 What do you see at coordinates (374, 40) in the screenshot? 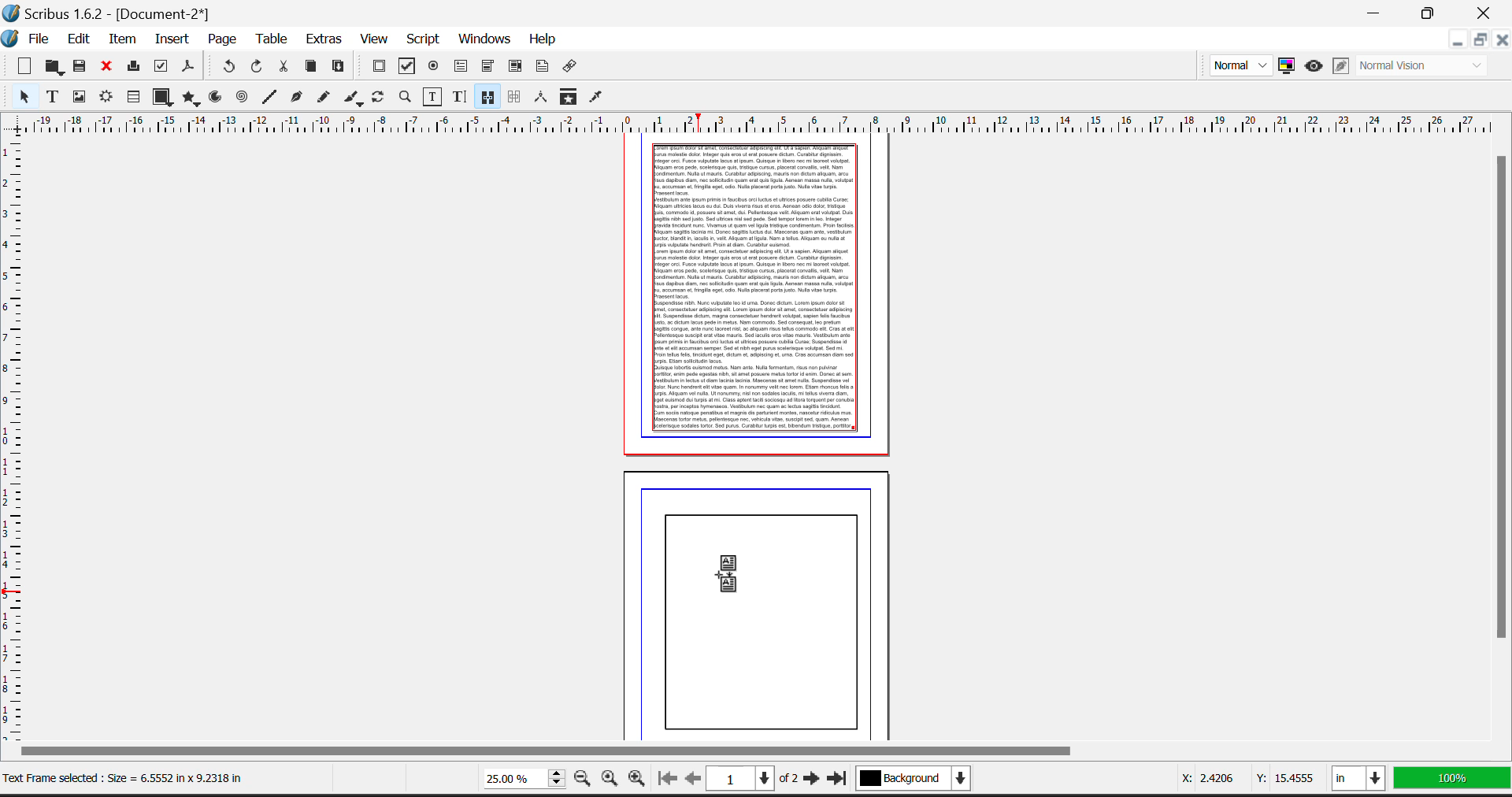
I see `View` at bounding box center [374, 40].